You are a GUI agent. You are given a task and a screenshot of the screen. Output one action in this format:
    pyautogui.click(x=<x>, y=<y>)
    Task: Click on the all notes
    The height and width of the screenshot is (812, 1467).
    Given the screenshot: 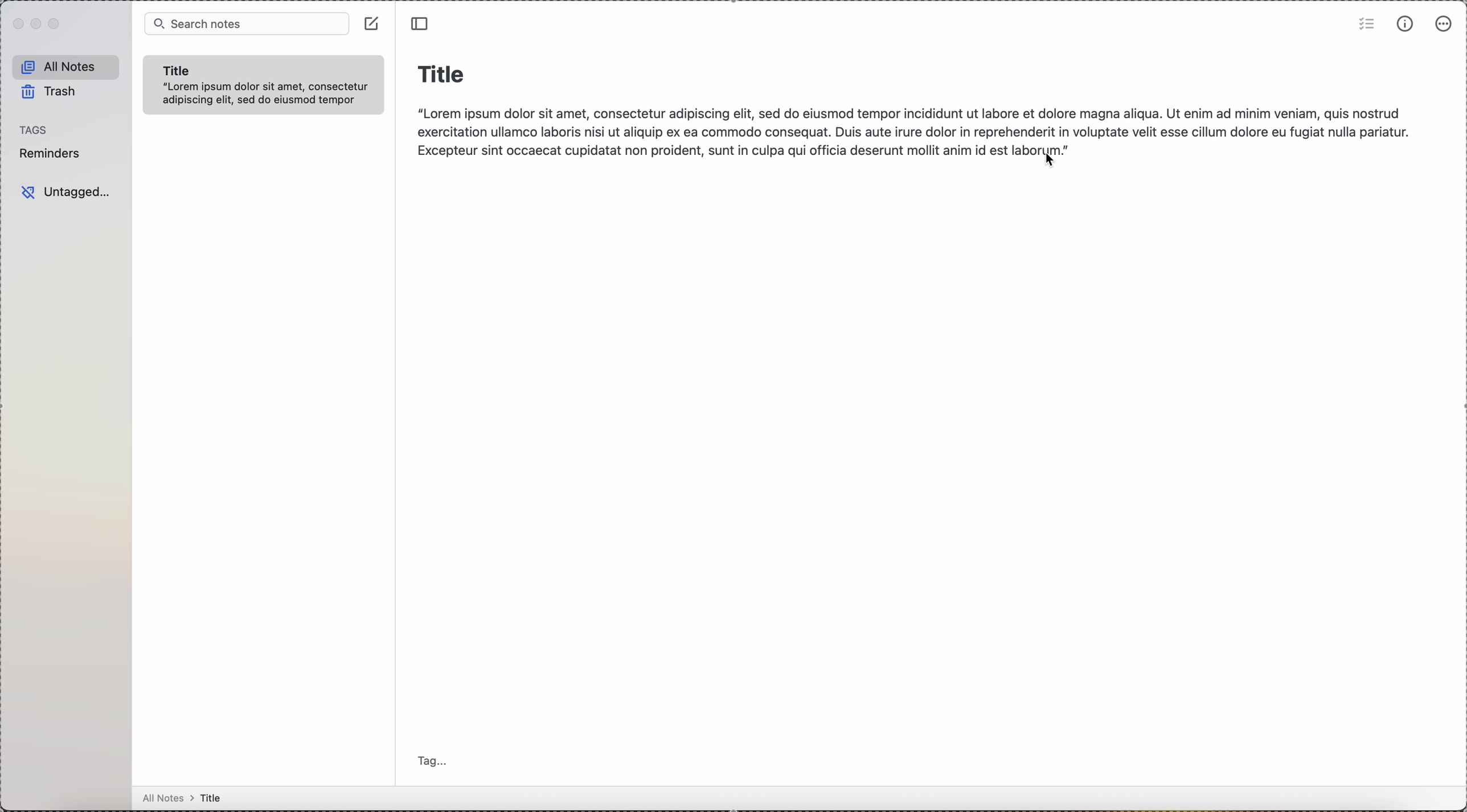 What is the action you would take?
    pyautogui.click(x=189, y=798)
    